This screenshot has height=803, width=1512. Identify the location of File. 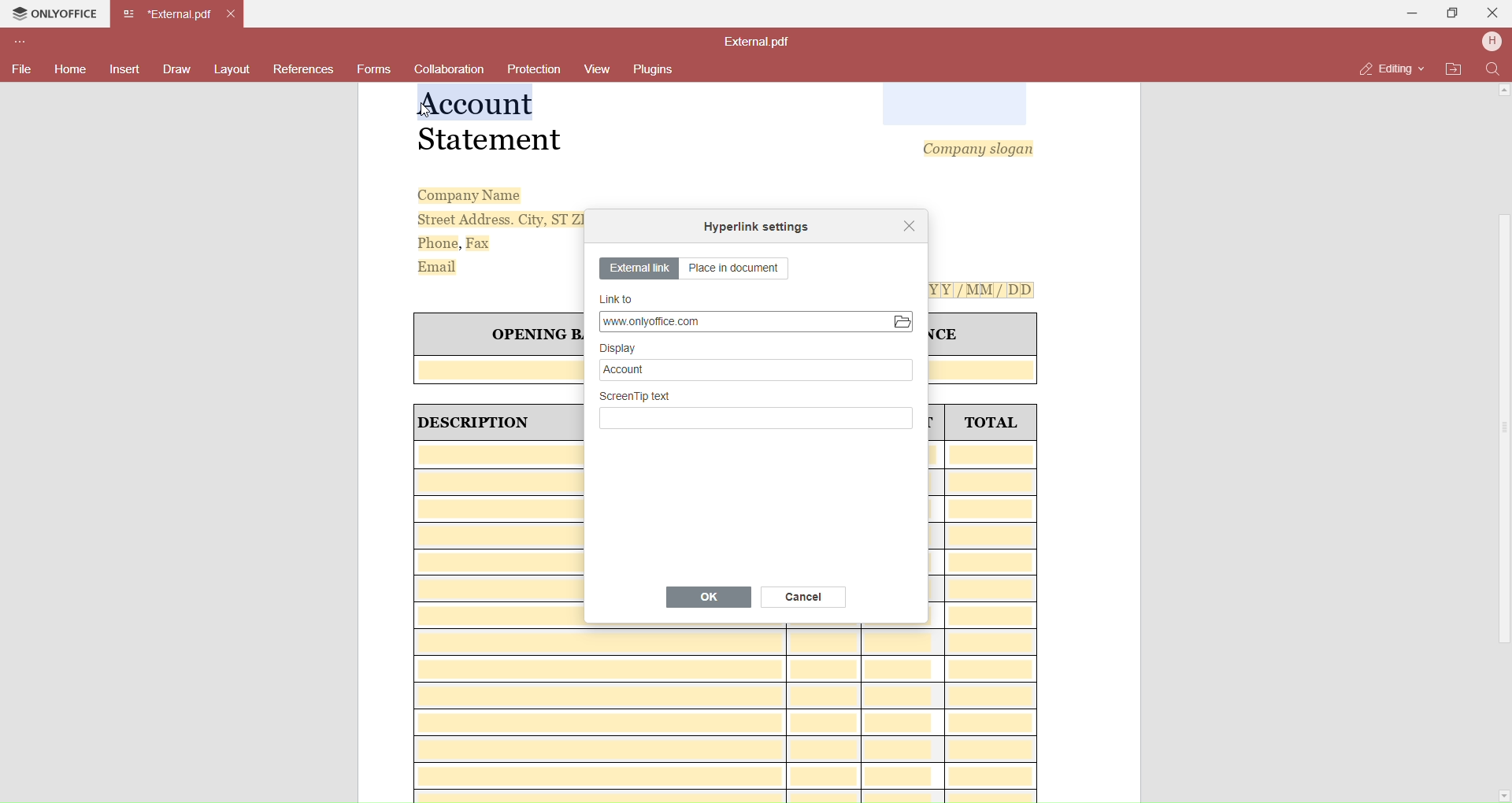
(22, 70).